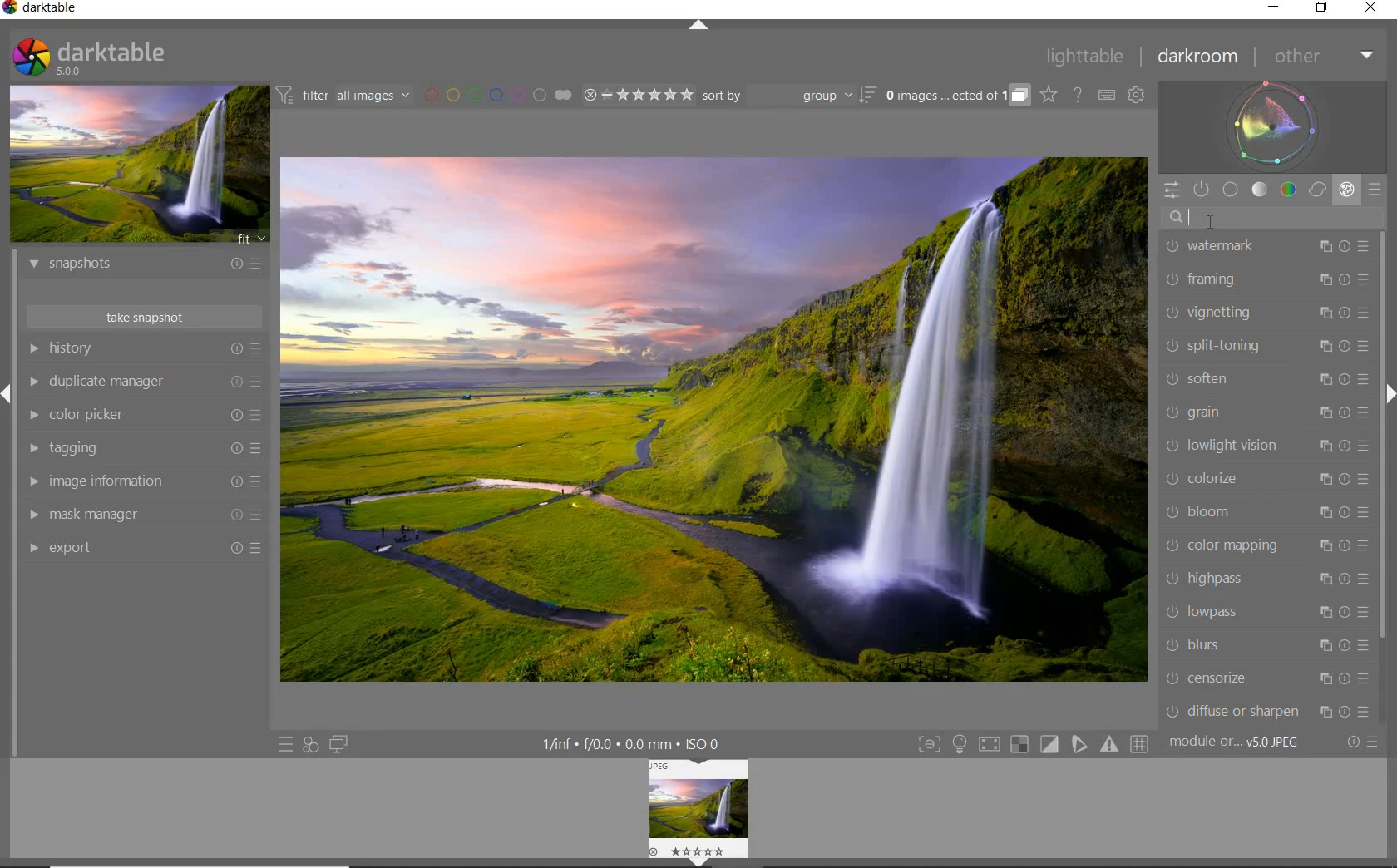 Image resolution: width=1397 pixels, height=868 pixels. I want to click on MODULE...v5.0 JPEG, so click(1239, 743).